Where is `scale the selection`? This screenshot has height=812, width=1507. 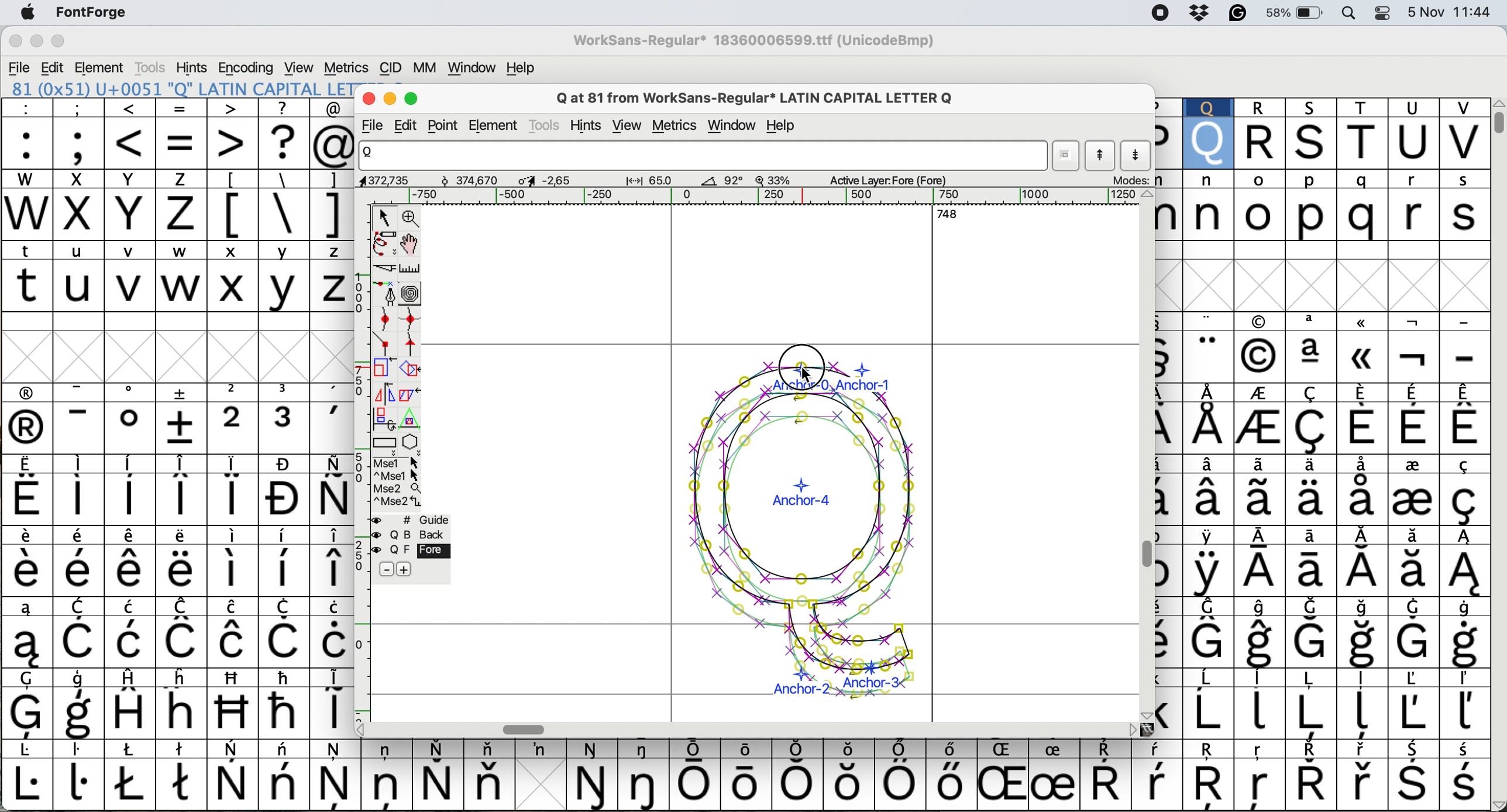 scale the selection is located at coordinates (381, 370).